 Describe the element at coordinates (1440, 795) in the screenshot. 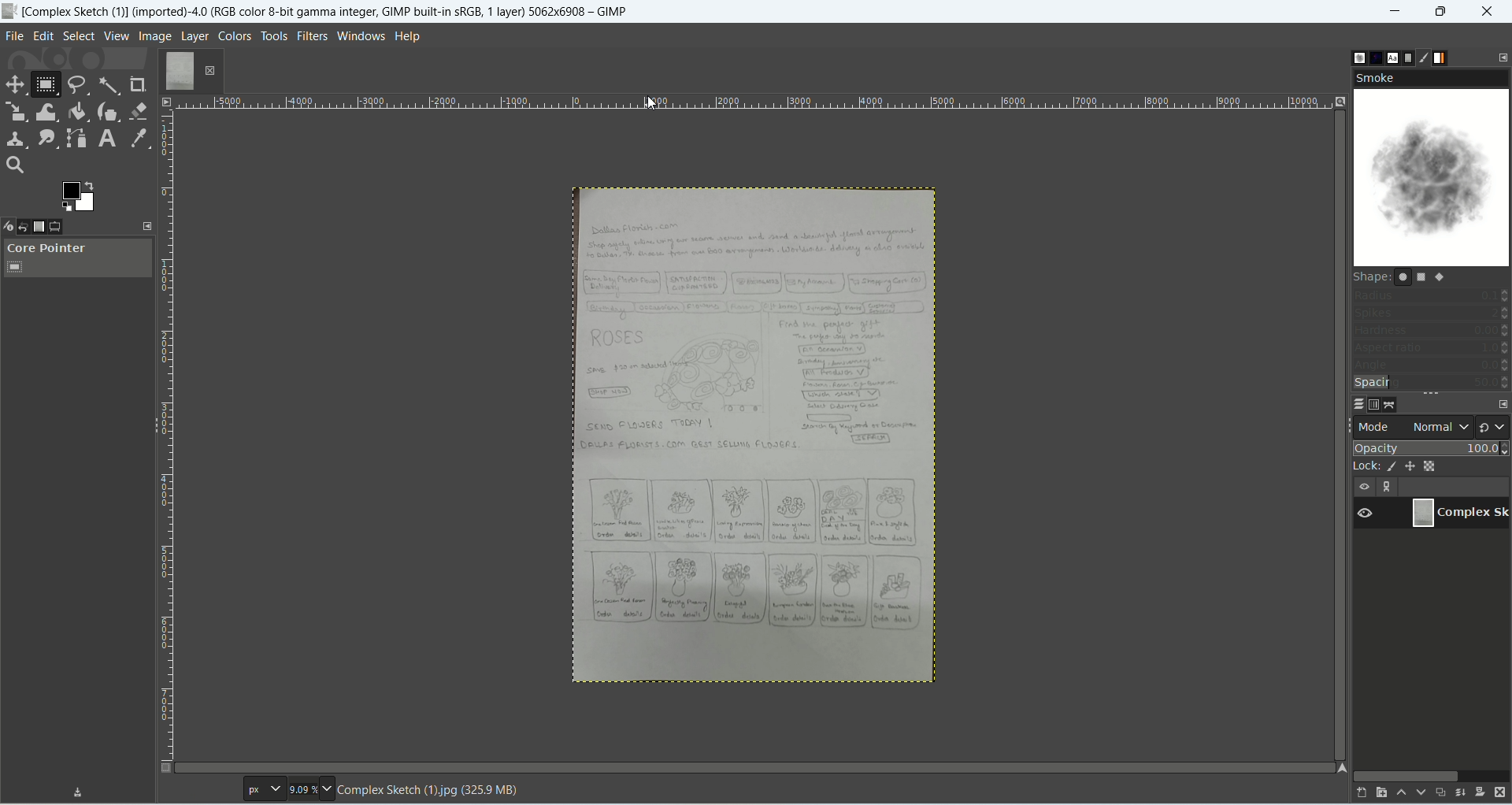

I see `create a duplicate` at that location.